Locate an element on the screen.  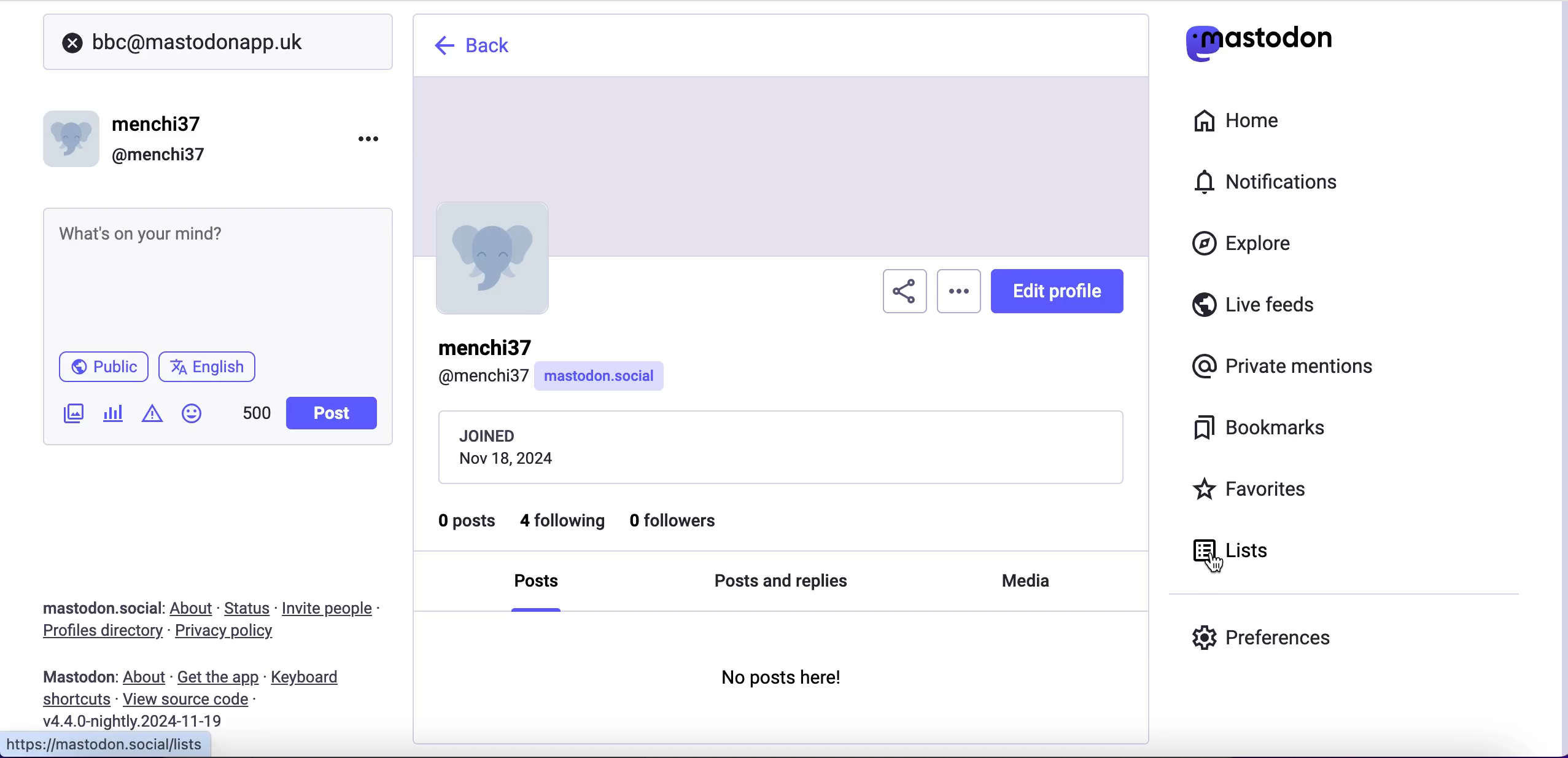
post button is located at coordinates (335, 413).